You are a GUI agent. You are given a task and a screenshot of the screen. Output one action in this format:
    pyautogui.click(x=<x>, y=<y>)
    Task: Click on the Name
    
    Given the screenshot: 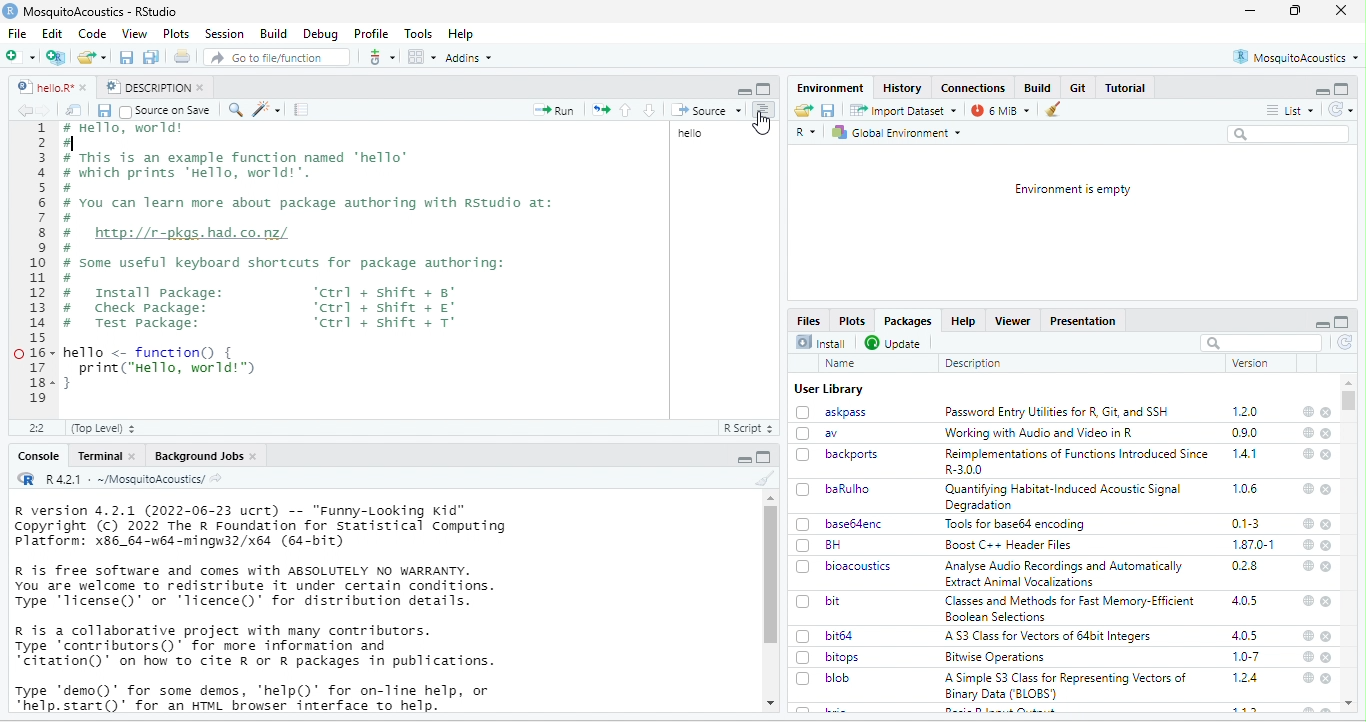 What is the action you would take?
    pyautogui.click(x=840, y=363)
    